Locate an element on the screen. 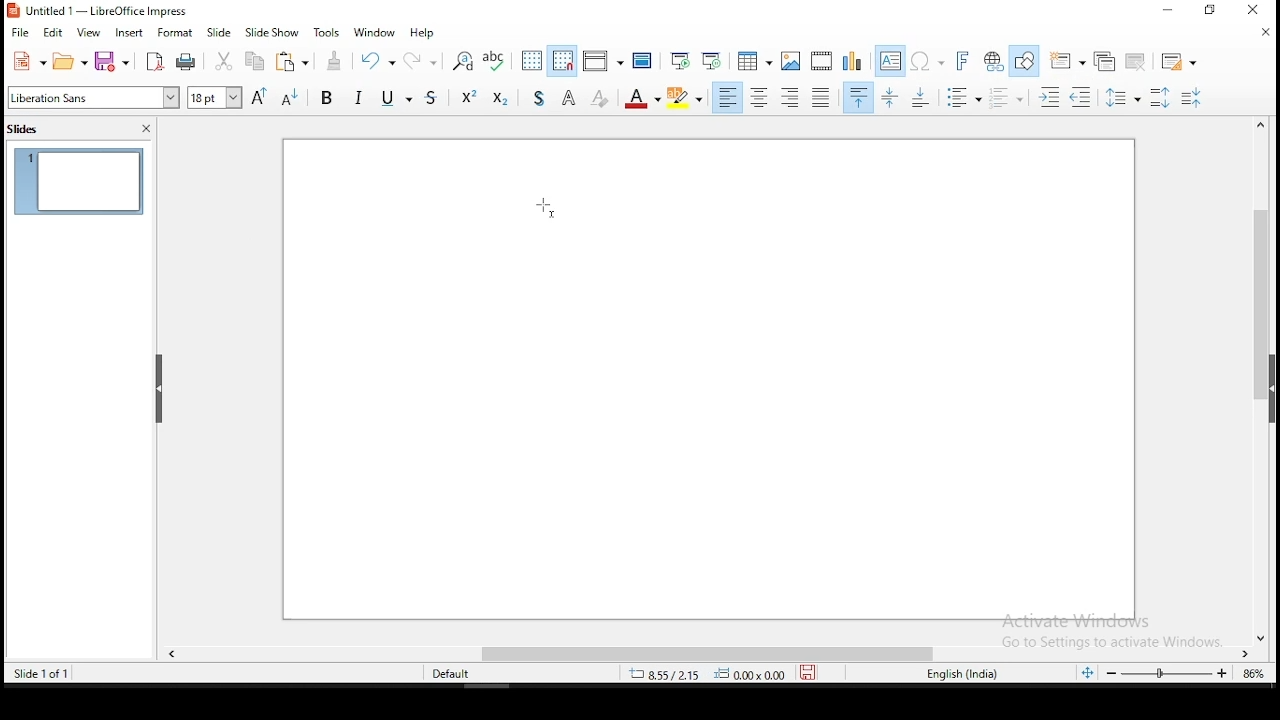 The image size is (1280, 720). start from current slide is located at coordinates (710, 62).